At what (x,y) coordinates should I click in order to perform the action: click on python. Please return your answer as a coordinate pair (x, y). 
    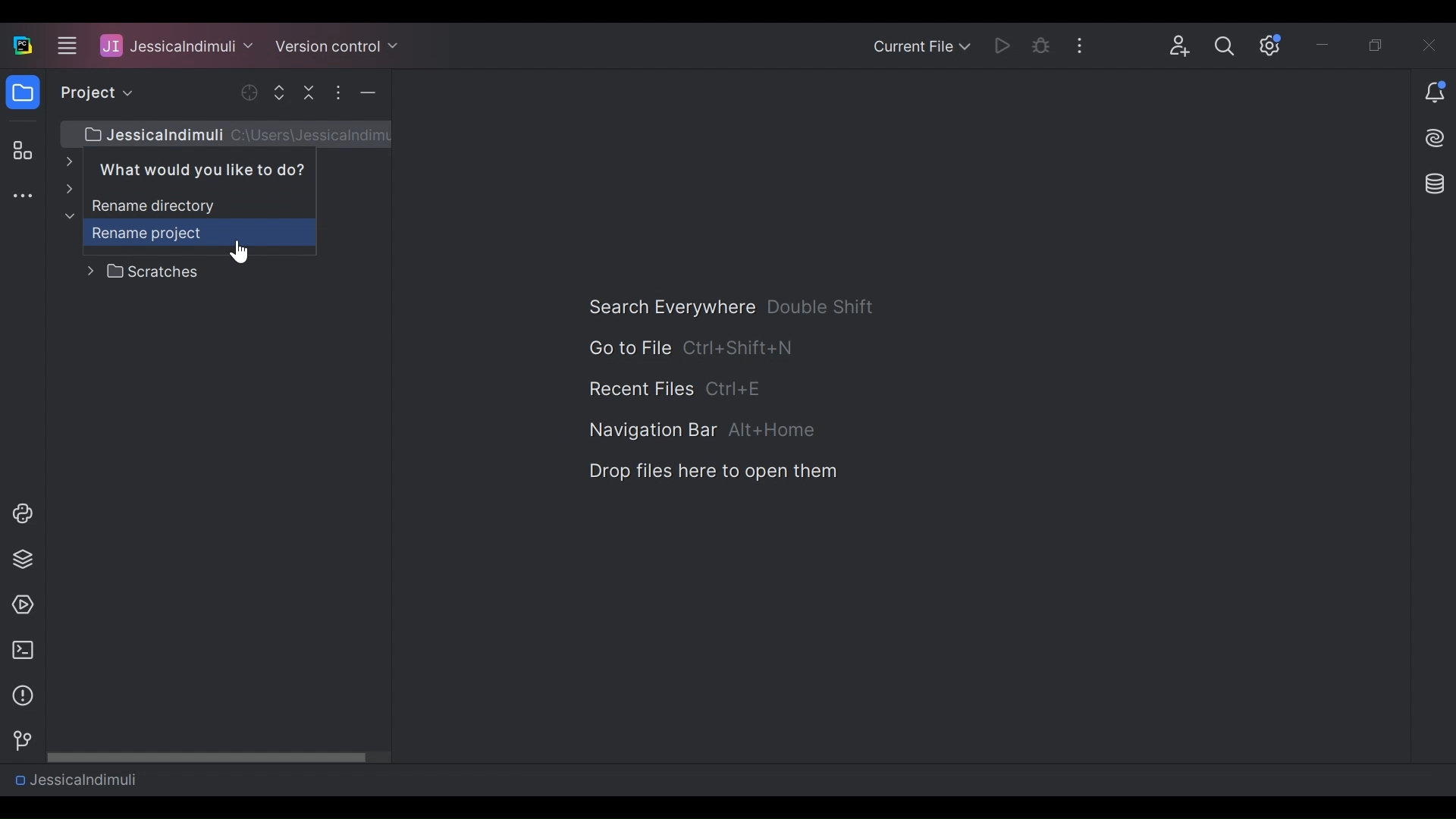
    Looking at the image, I should click on (22, 513).